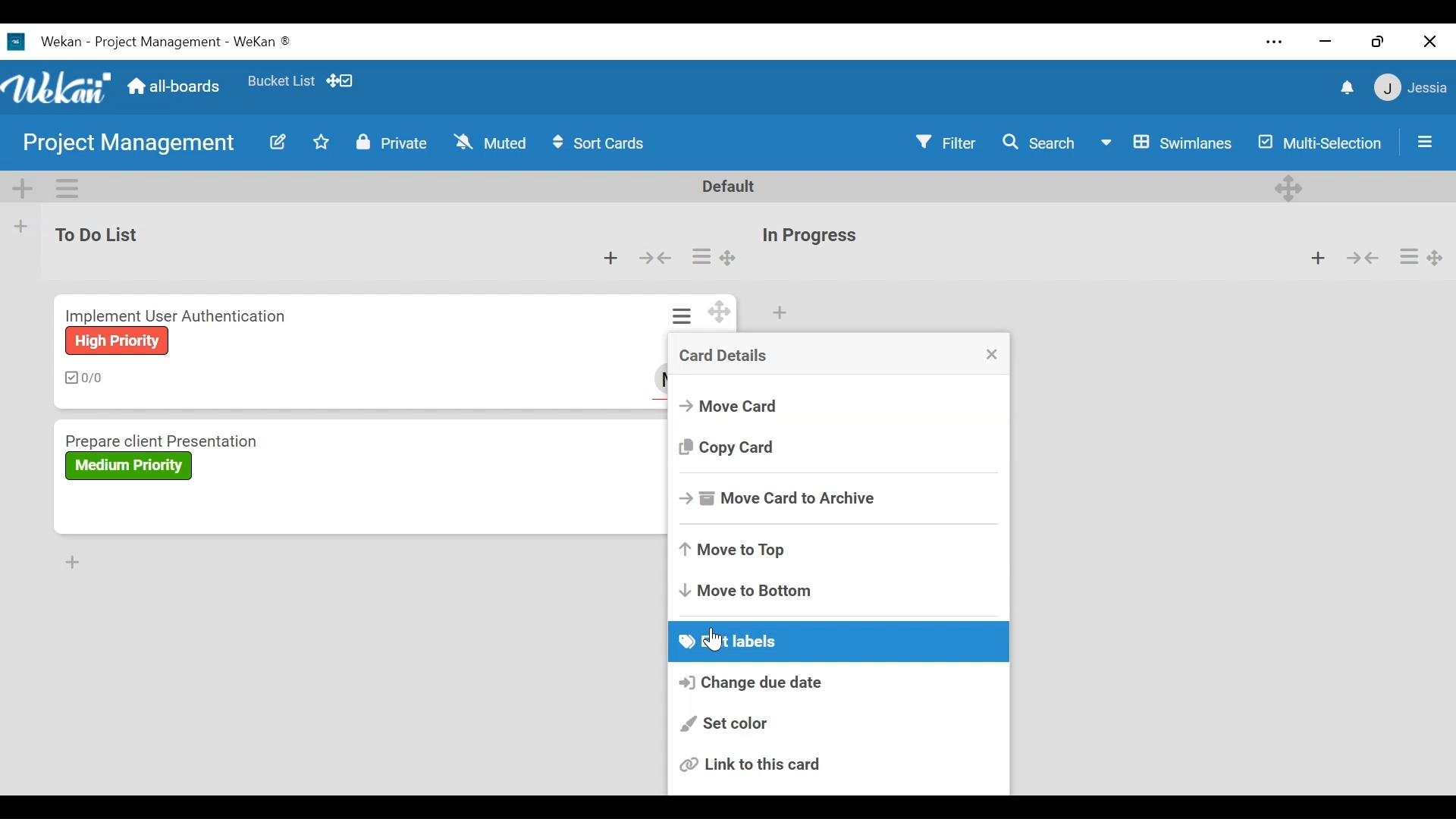  I want to click on minimize, so click(1325, 42).